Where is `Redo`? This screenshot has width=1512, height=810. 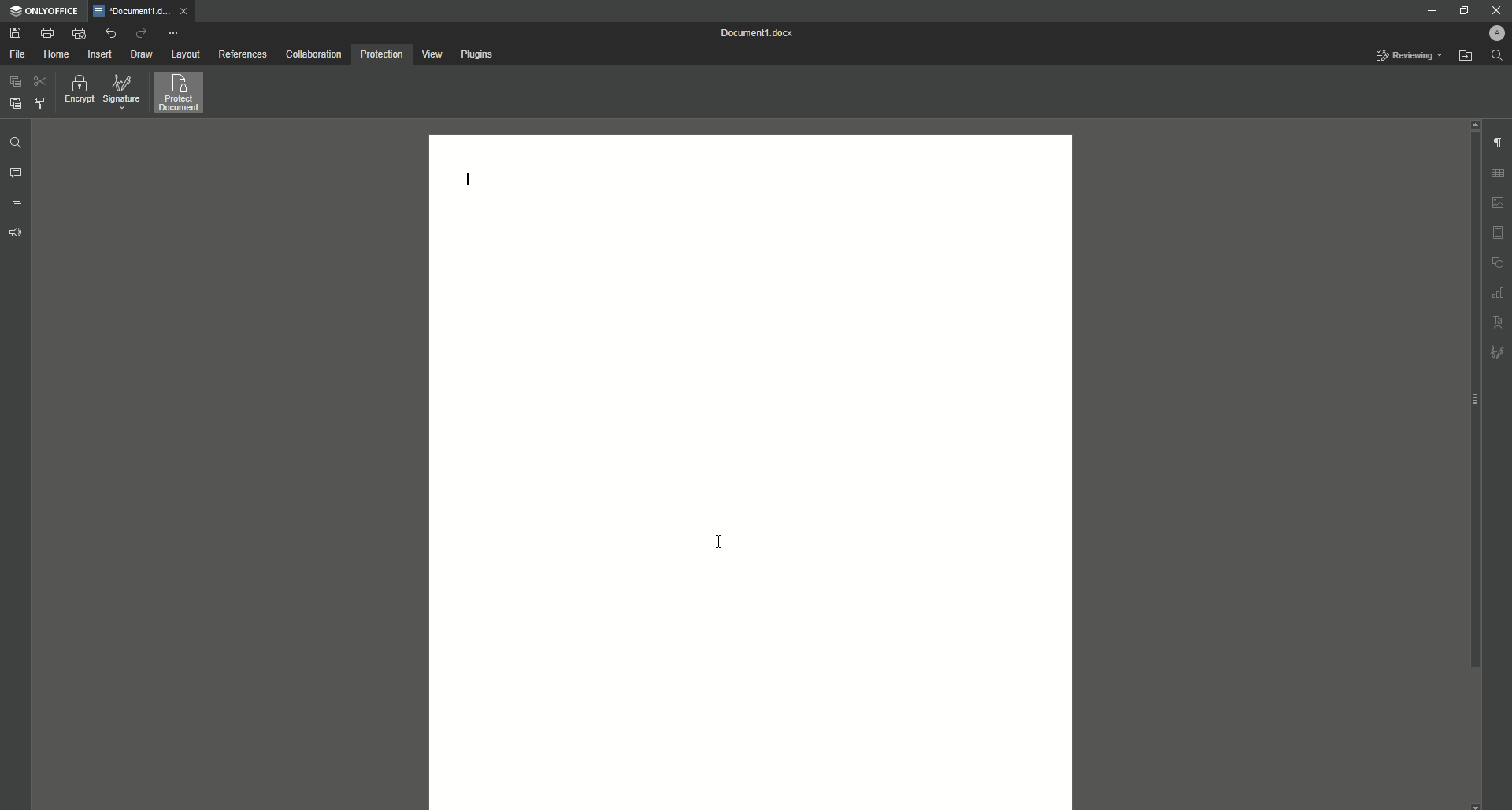
Redo is located at coordinates (141, 32).